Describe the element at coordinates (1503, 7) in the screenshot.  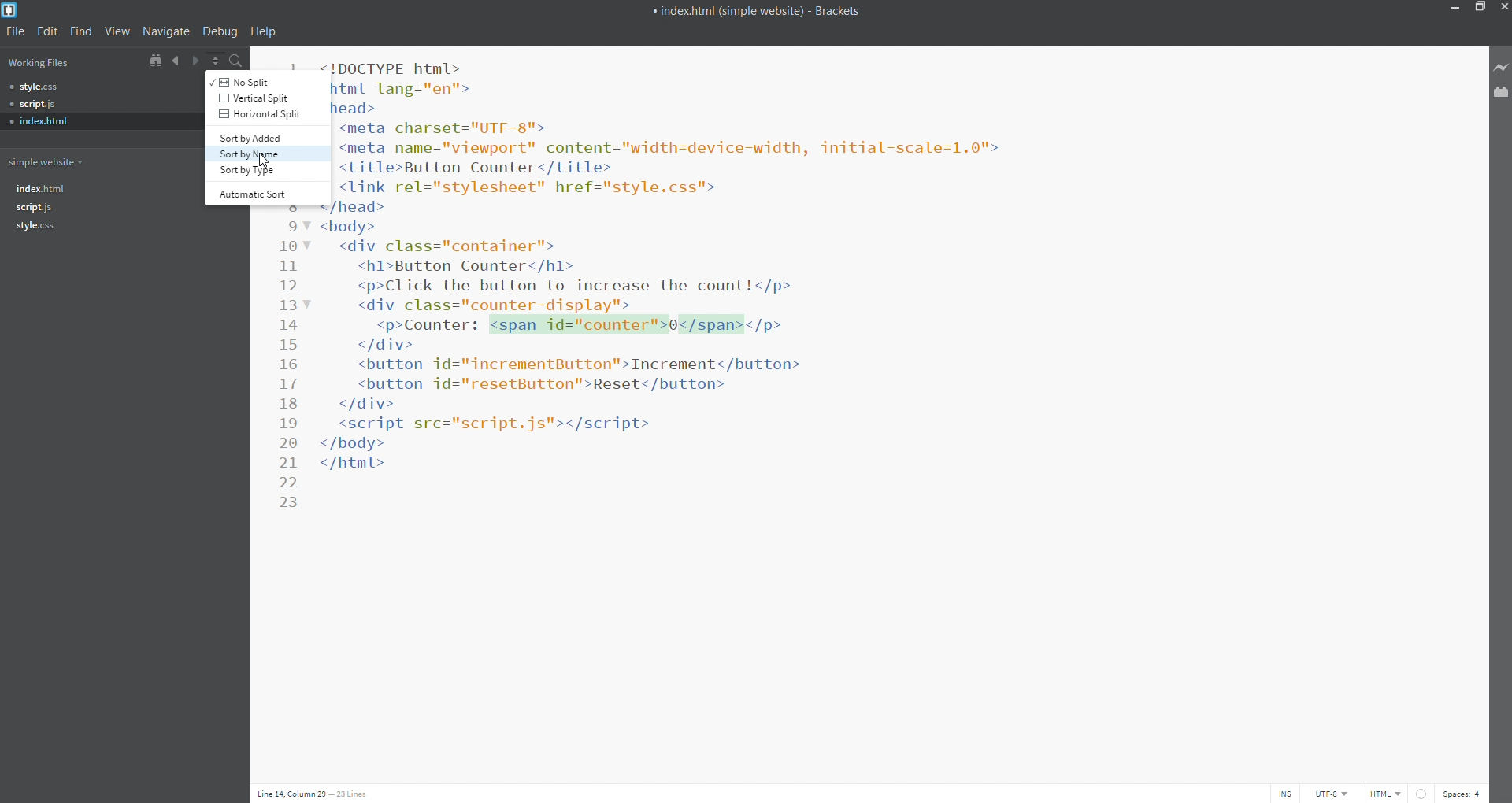
I see `close` at that location.